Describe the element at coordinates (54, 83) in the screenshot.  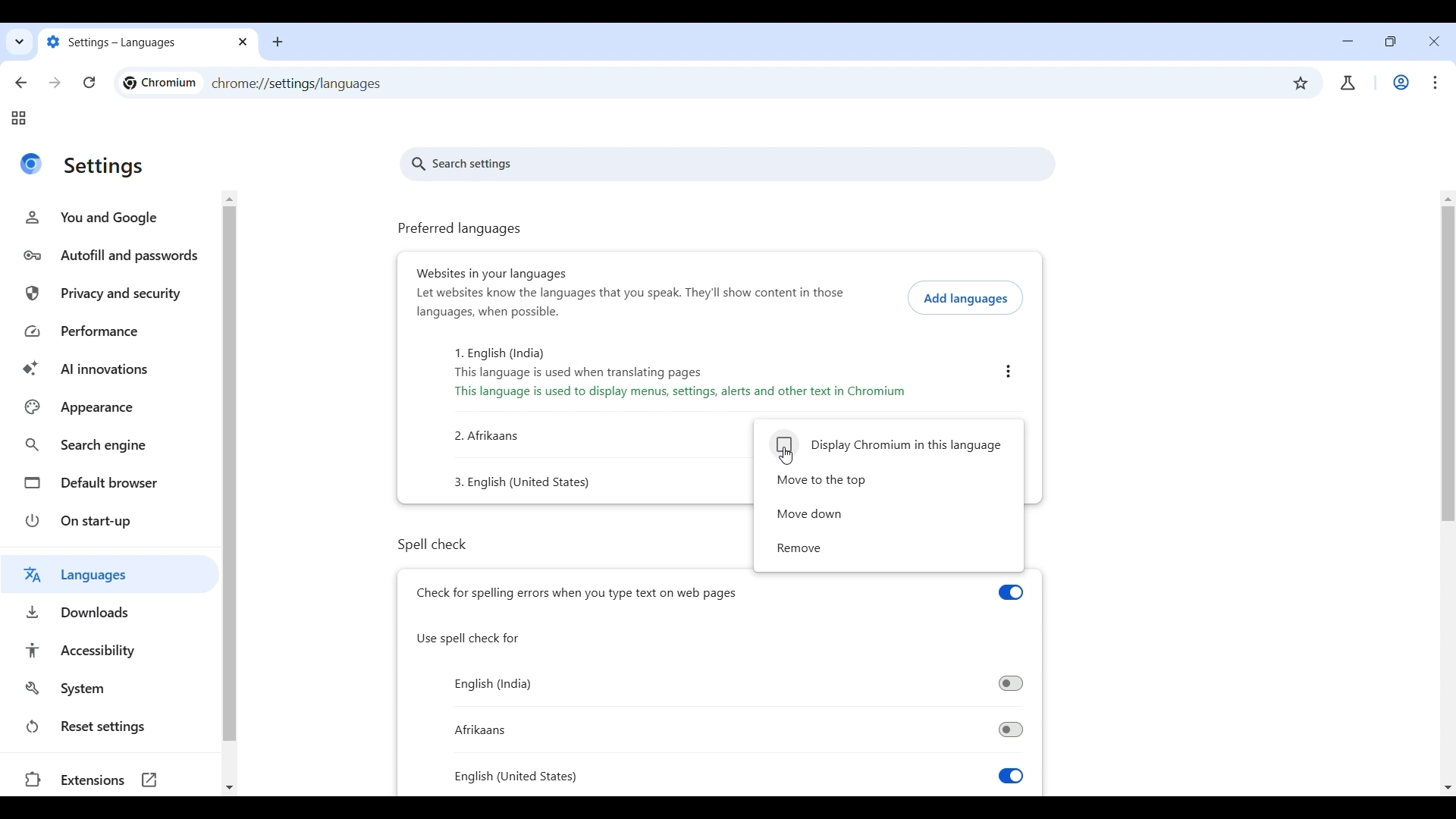
I see `Go forward` at that location.